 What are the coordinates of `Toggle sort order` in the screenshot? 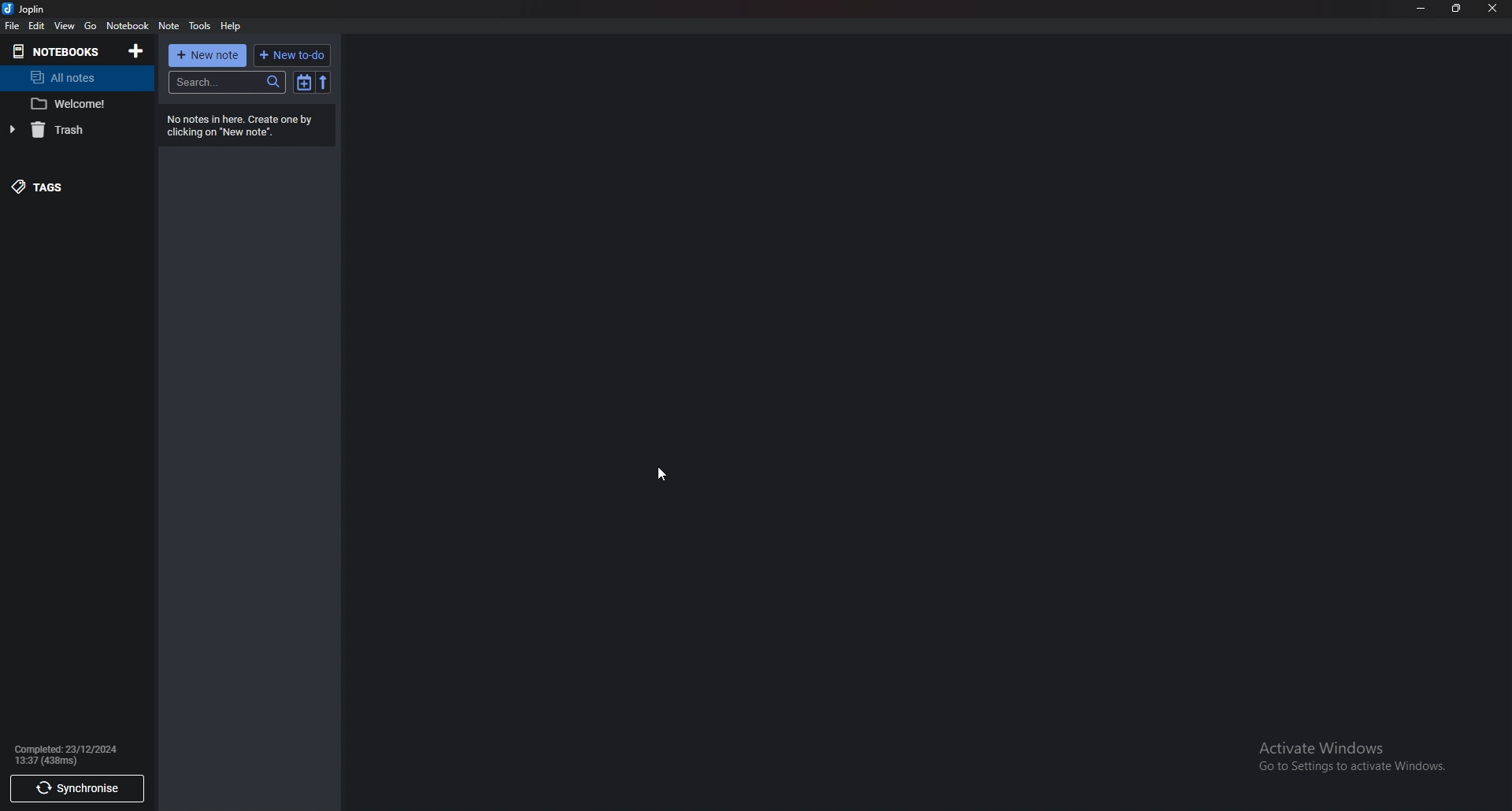 It's located at (303, 83).